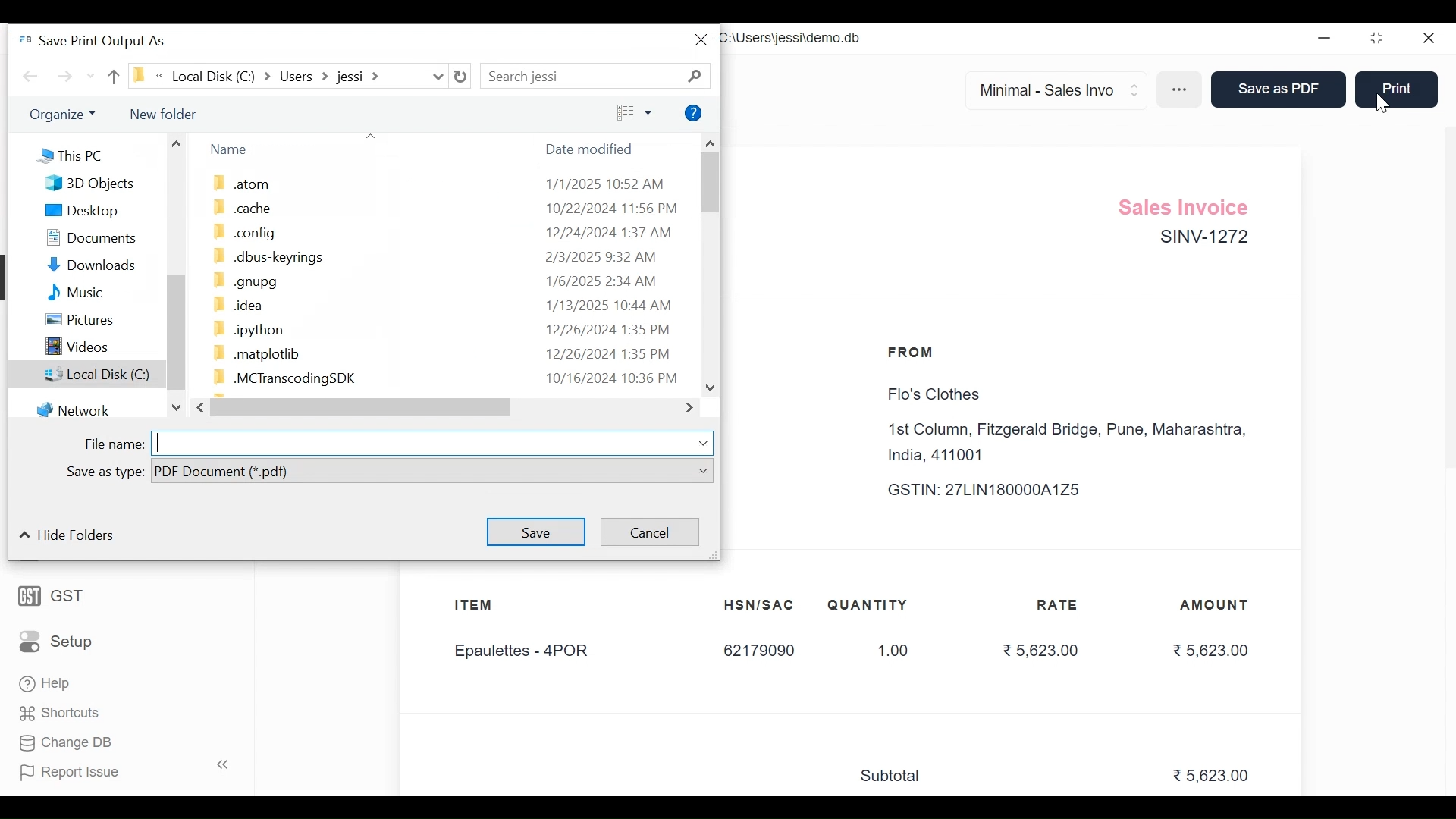 This screenshot has width=1456, height=819. Describe the element at coordinates (610, 207) in the screenshot. I see `10/22/2024 11:56 PM` at that location.